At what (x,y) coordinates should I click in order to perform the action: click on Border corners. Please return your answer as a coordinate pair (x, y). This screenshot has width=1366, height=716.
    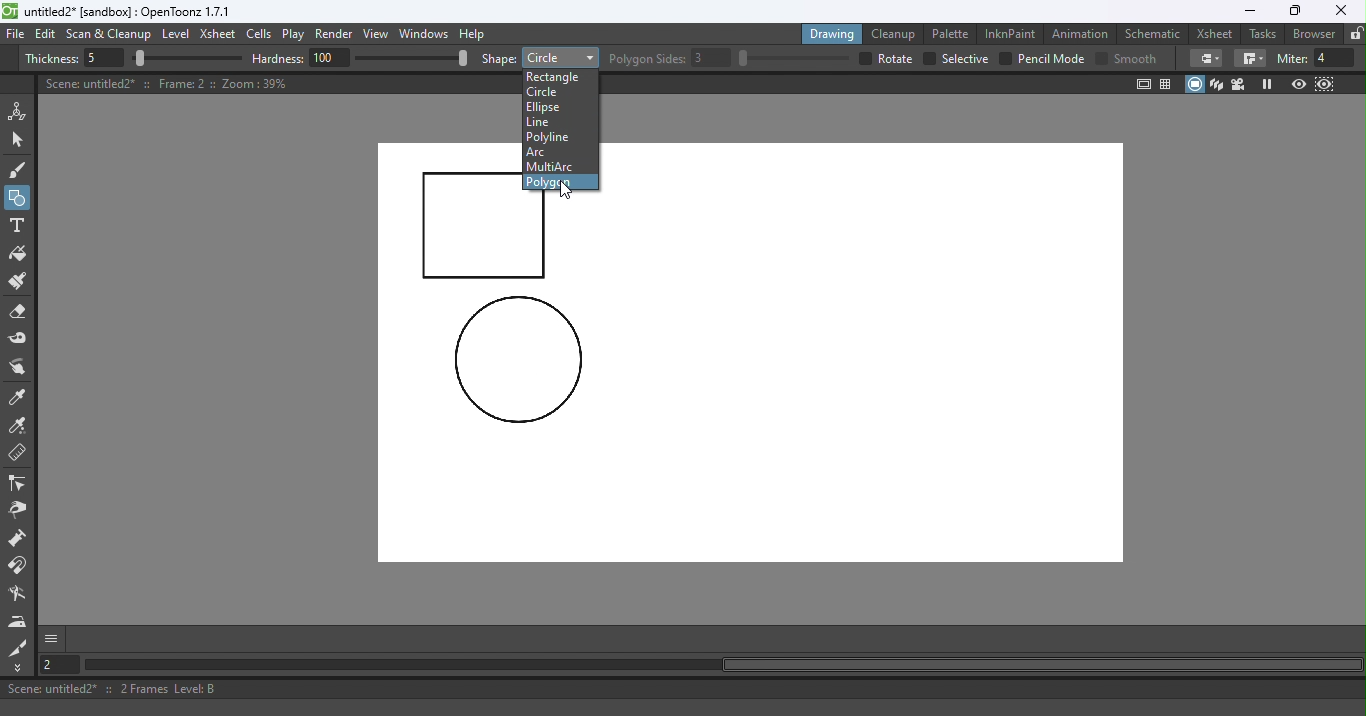
    Looking at the image, I should click on (1250, 59).